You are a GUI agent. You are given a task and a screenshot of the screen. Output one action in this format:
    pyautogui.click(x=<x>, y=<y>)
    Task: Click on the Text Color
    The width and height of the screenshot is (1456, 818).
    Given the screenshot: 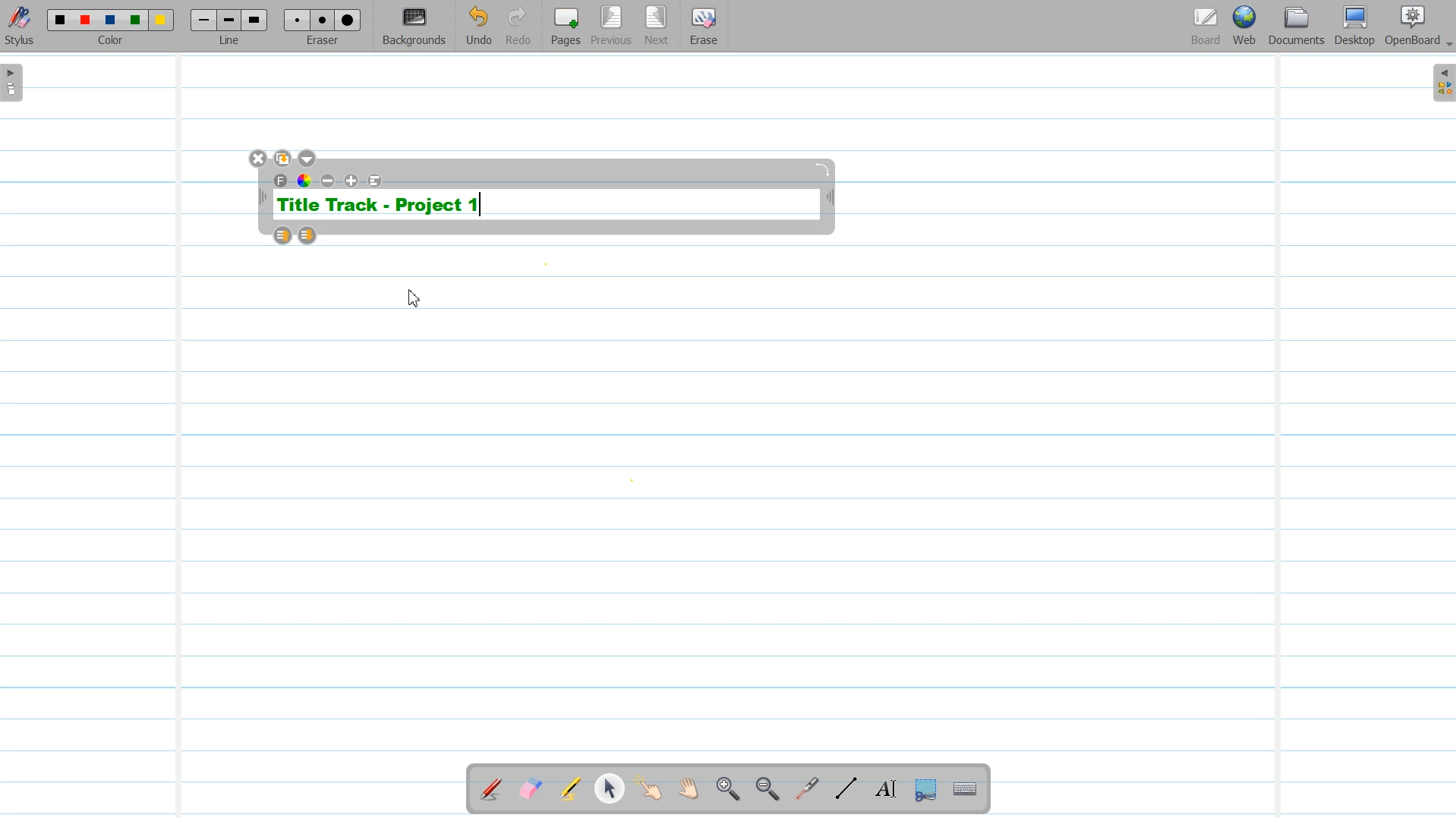 What is the action you would take?
    pyautogui.click(x=304, y=180)
    